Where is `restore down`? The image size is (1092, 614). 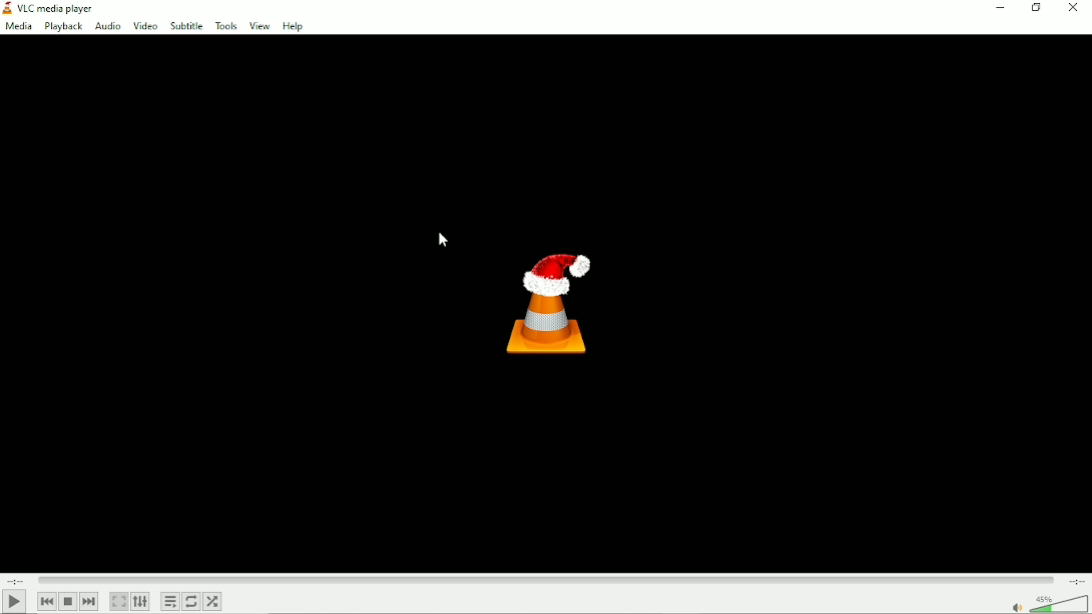
restore down is located at coordinates (1039, 8).